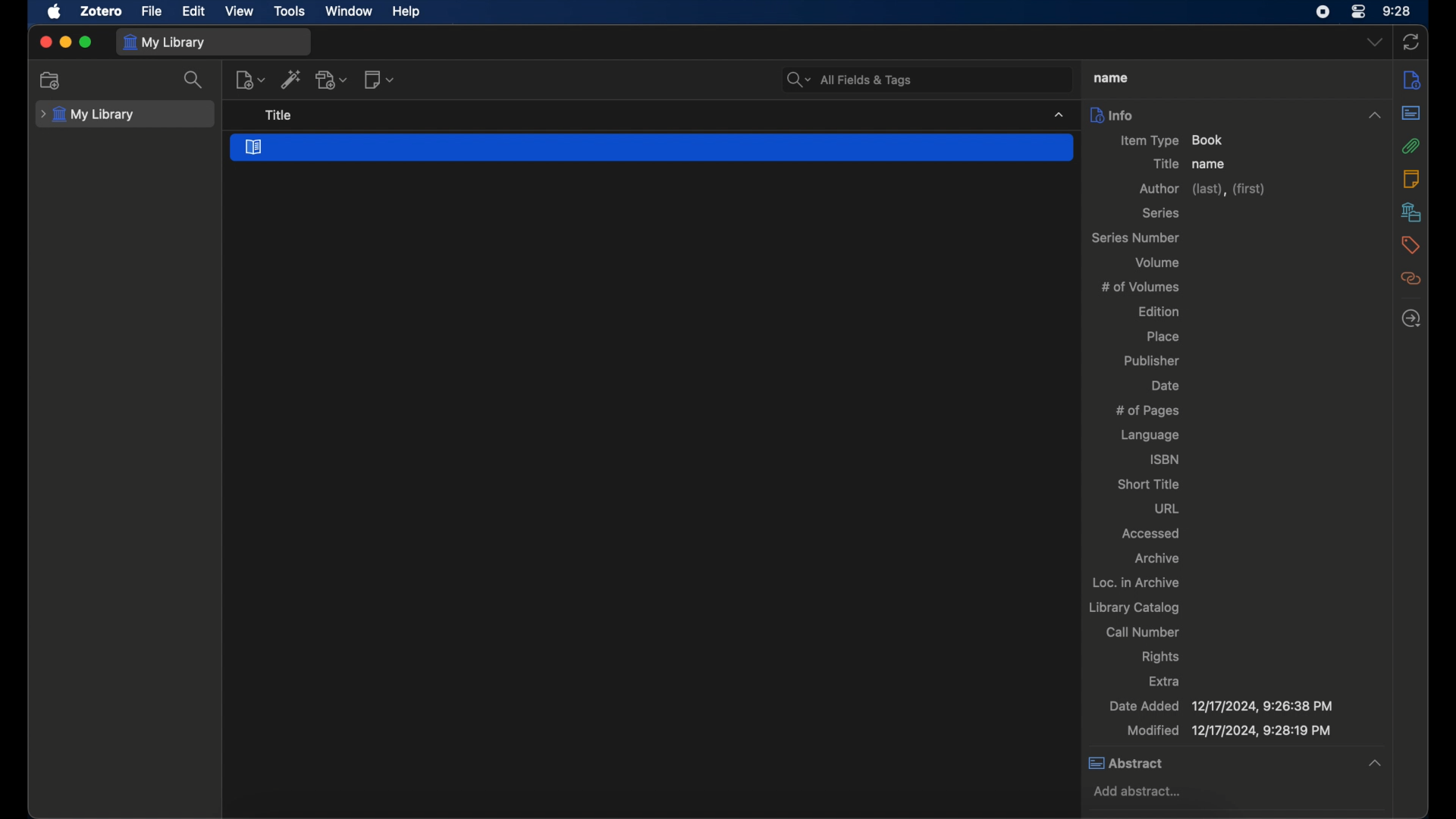 This screenshot has height=819, width=1456. Describe the element at coordinates (1373, 42) in the screenshot. I see `dropdown` at that location.